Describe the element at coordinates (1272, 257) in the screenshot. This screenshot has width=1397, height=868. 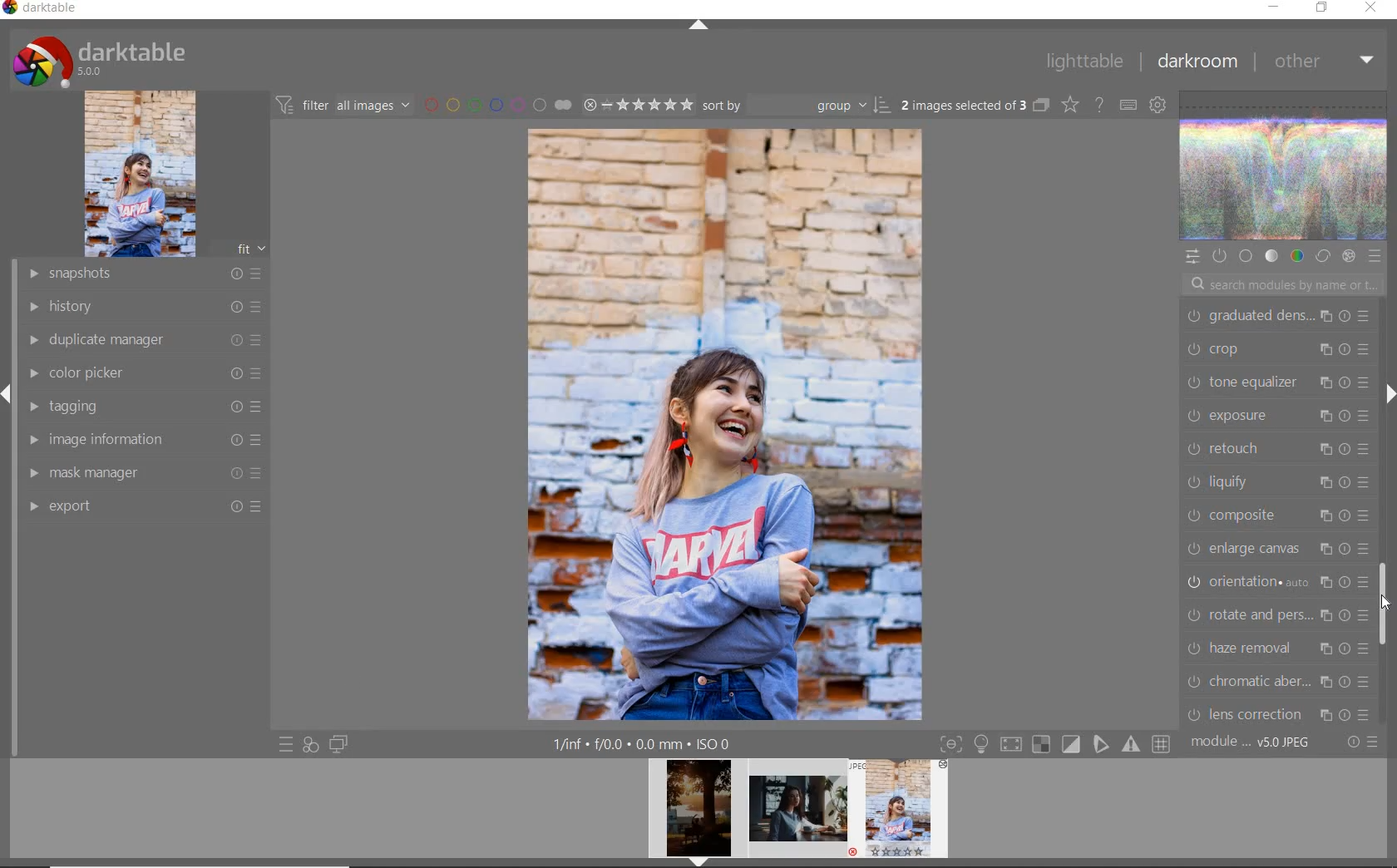
I see `tone` at that location.